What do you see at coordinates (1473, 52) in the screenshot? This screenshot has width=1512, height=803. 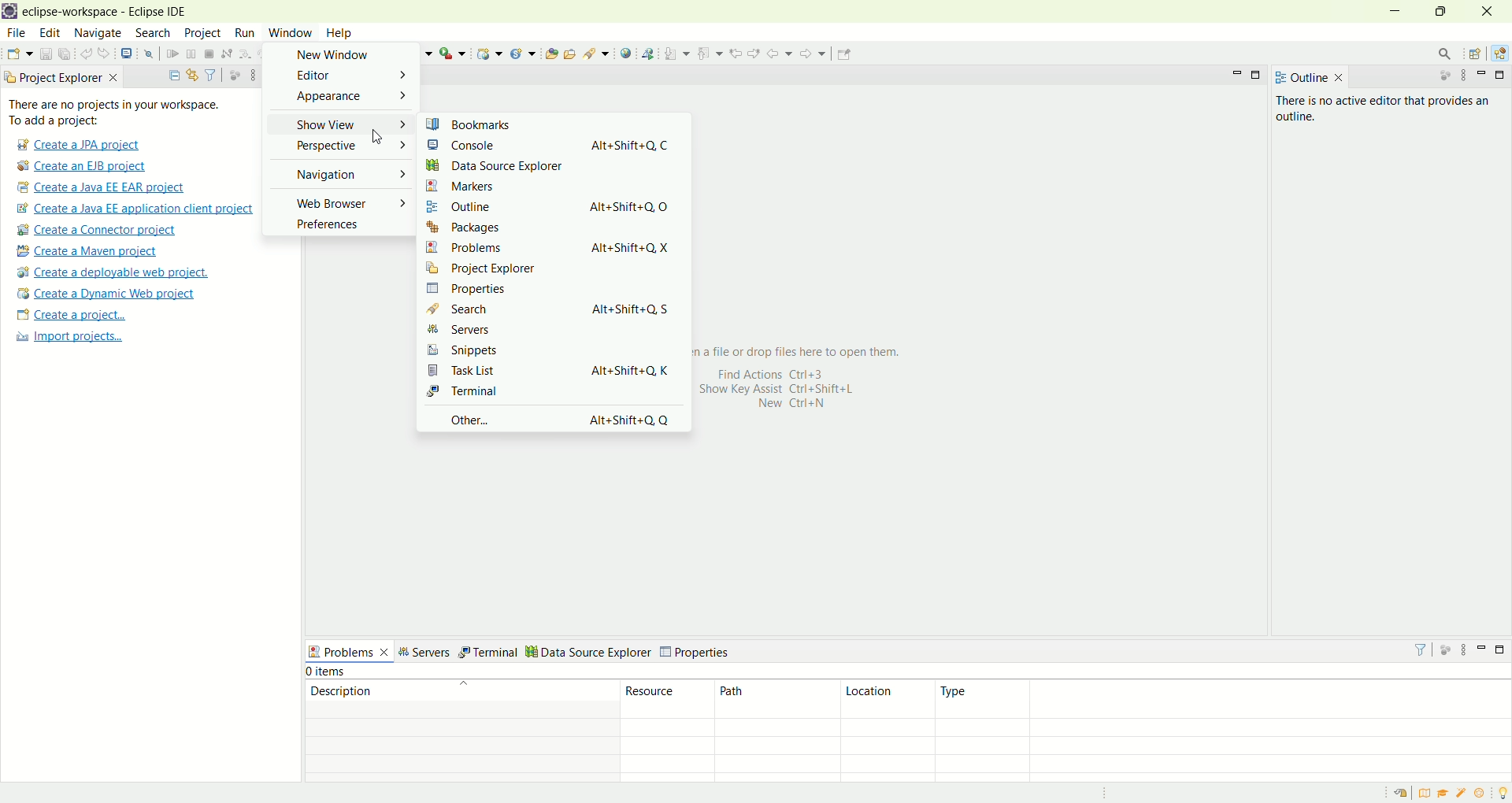 I see `open perspective` at bounding box center [1473, 52].